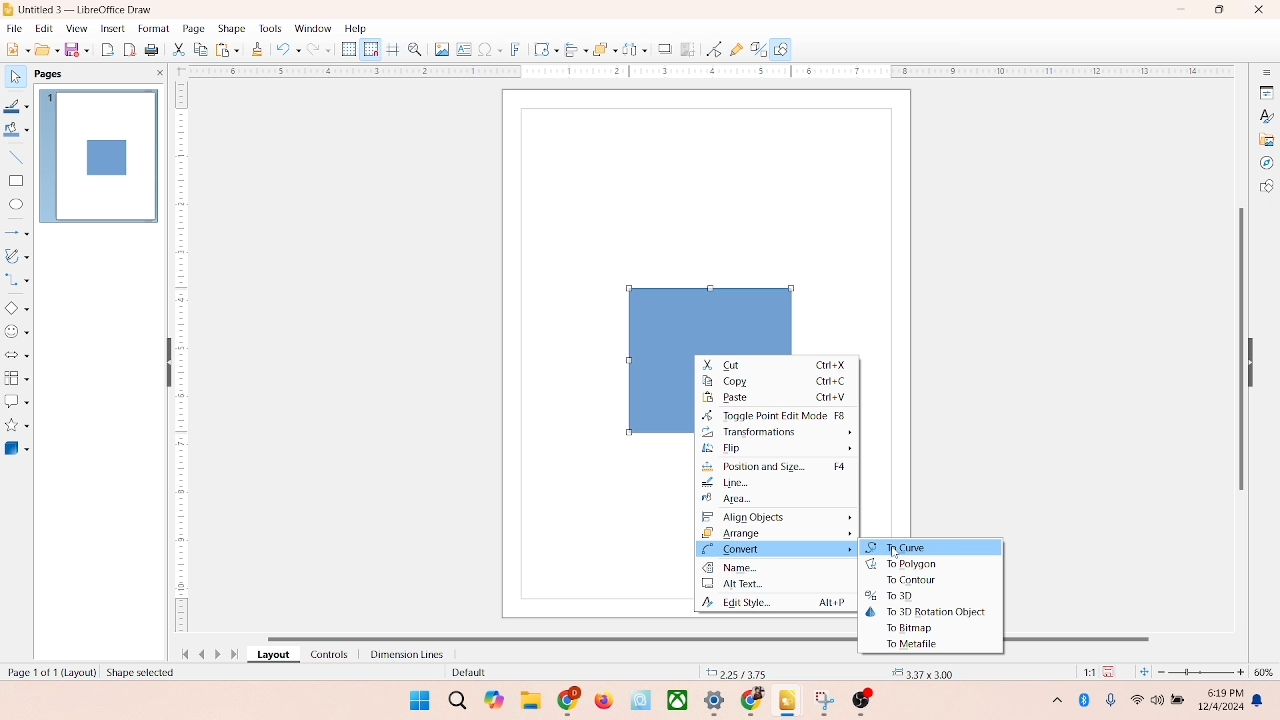  Describe the element at coordinates (402, 654) in the screenshot. I see `dimension lines` at that location.